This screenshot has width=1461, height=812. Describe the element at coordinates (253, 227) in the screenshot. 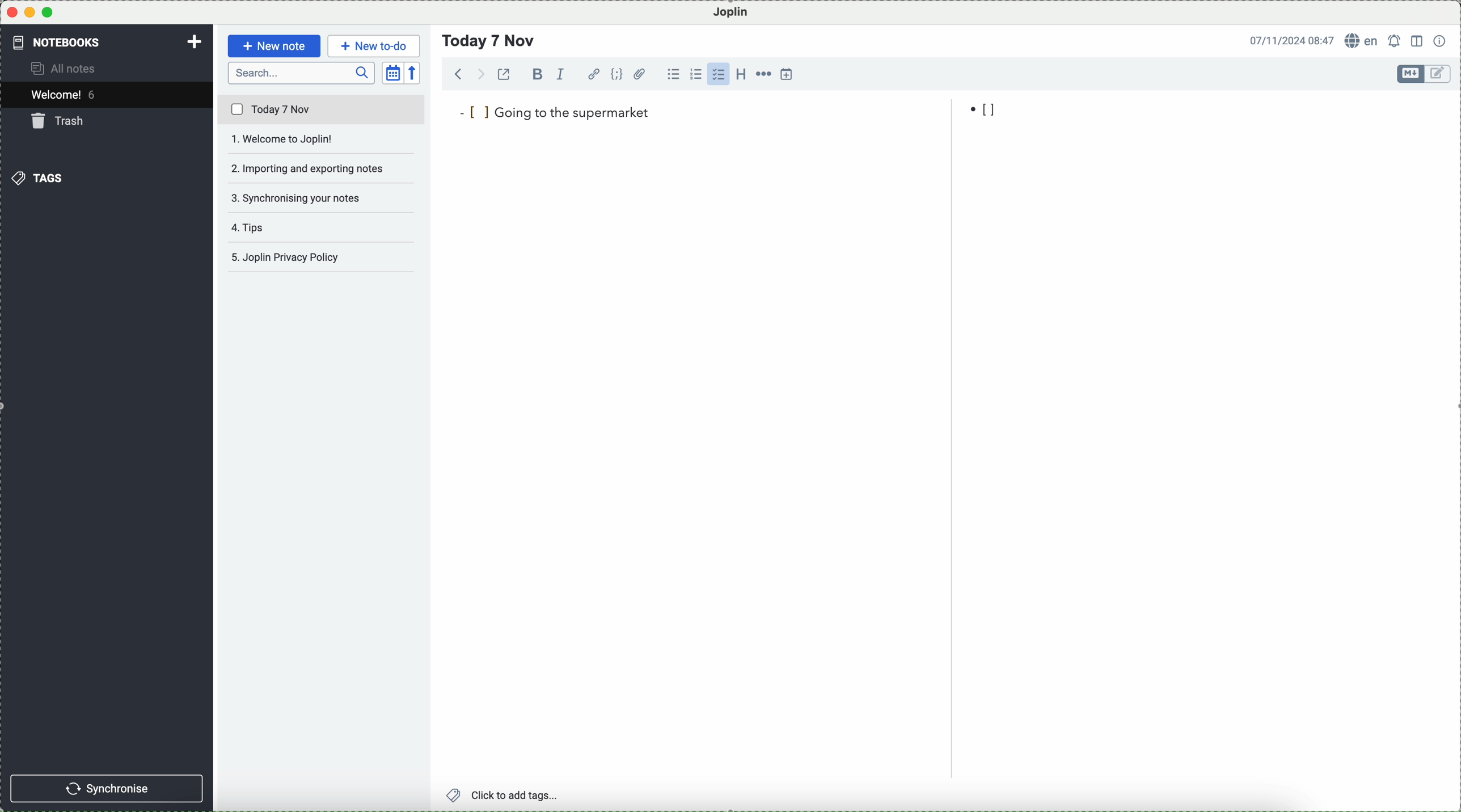

I see `tips` at that location.